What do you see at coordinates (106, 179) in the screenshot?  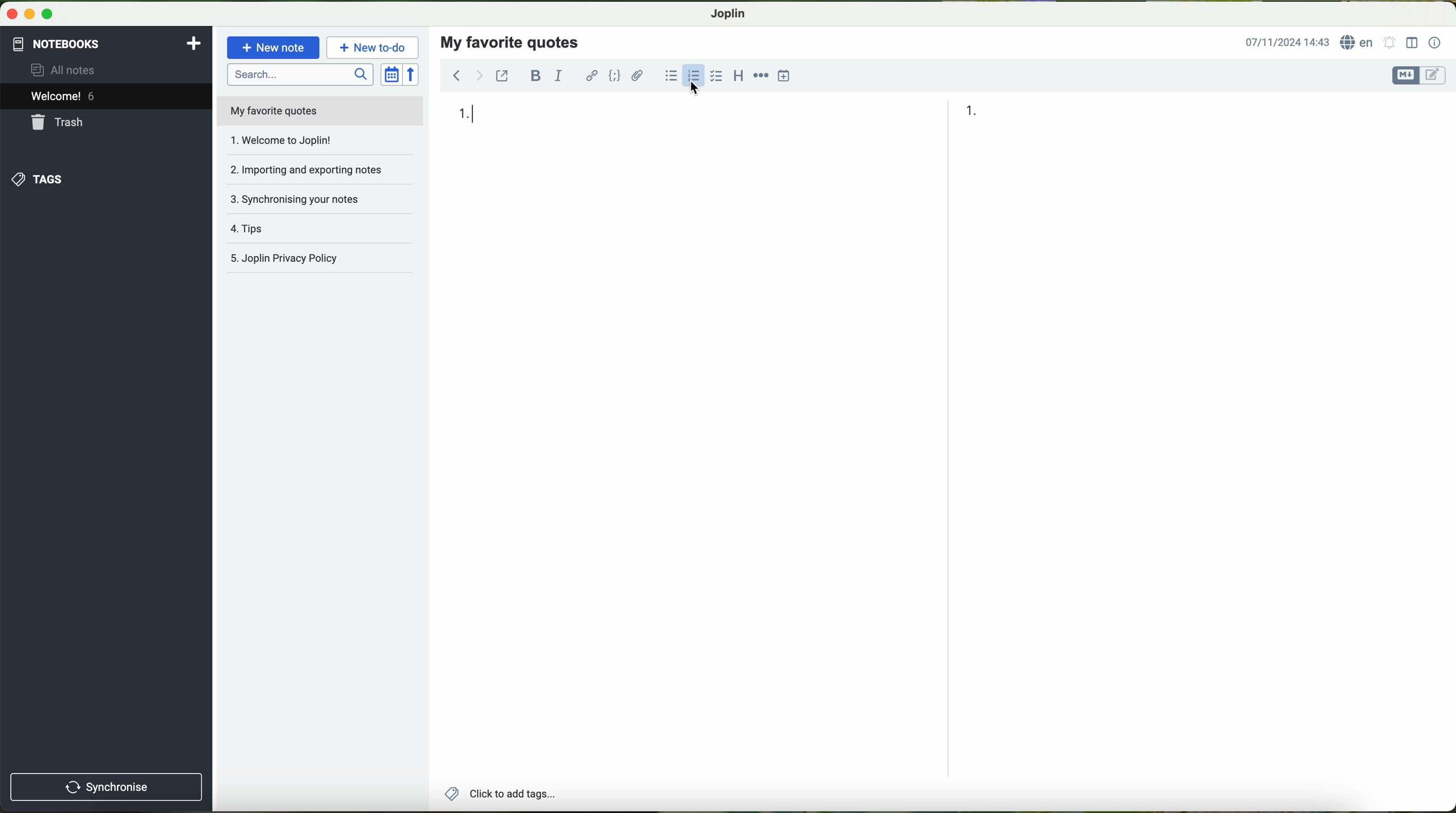 I see `tags` at bounding box center [106, 179].